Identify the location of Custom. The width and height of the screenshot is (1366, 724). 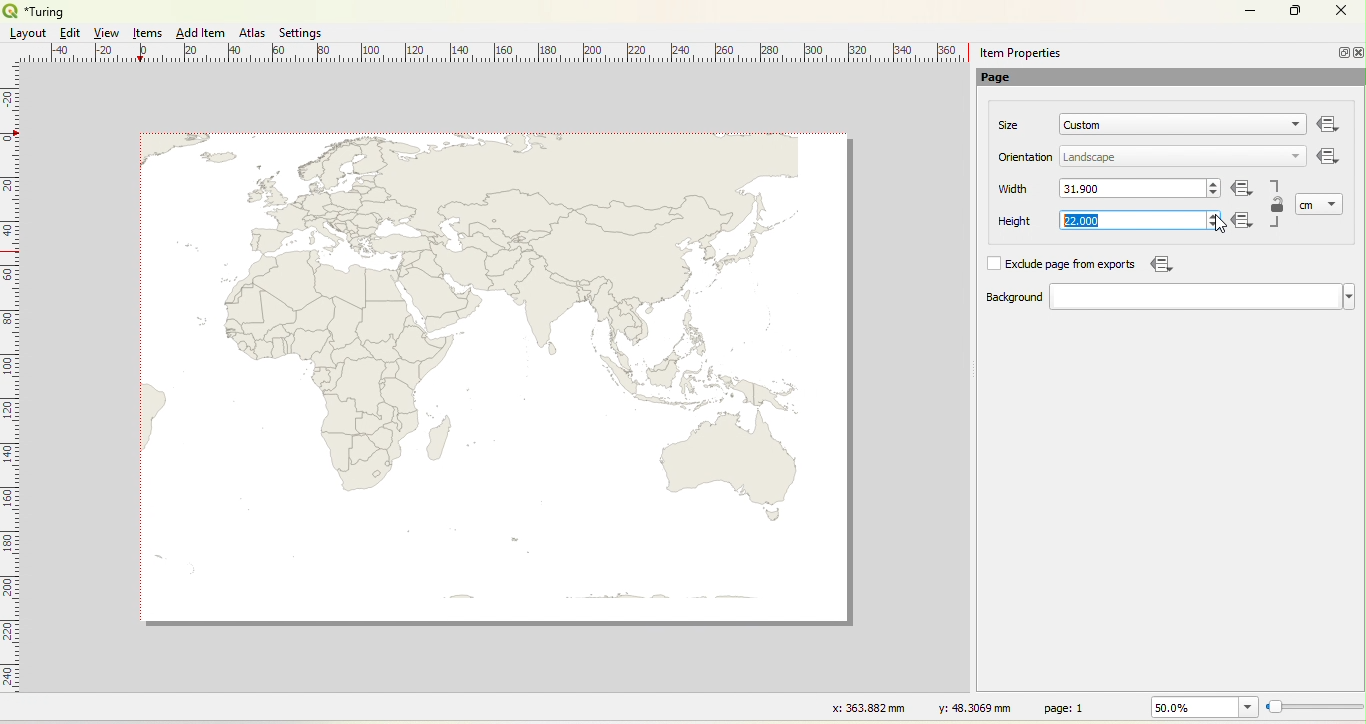
(1083, 125).